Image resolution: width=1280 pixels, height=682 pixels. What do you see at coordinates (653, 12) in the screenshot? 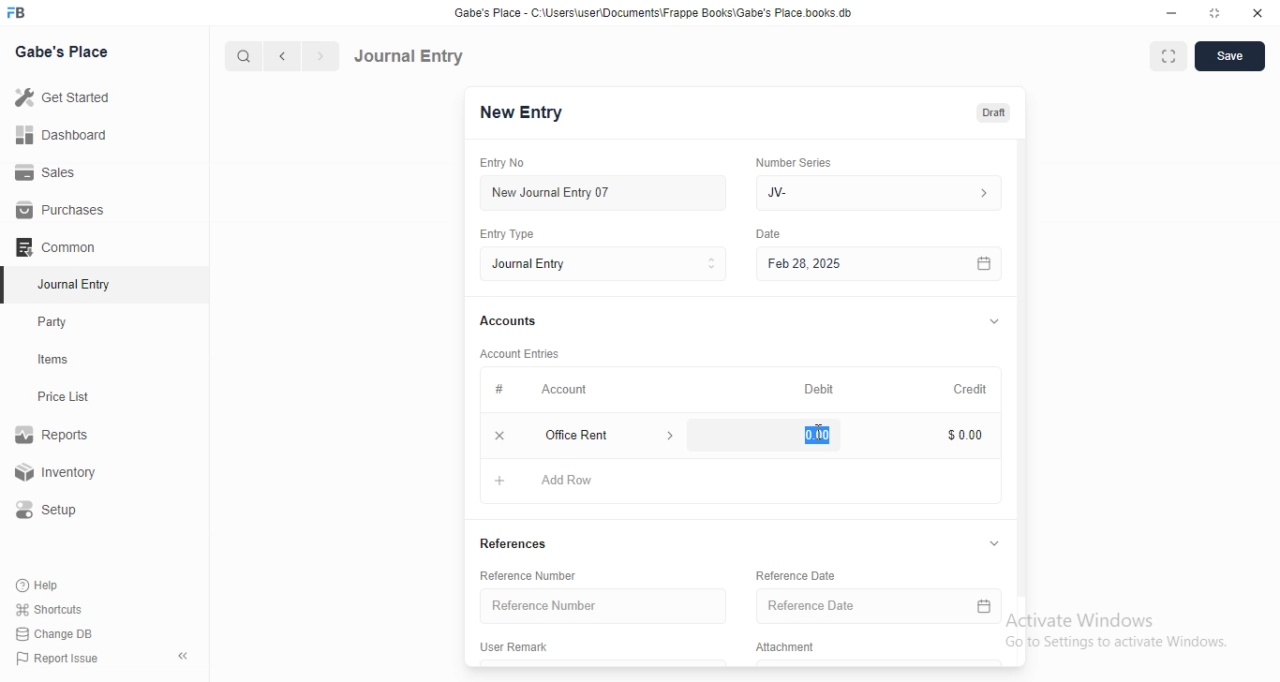
I see `‘Gabe's Place - C\UsersiuserDocuments\Frappe Books\Gabe's Place books db` at bounding box center [653, 12].